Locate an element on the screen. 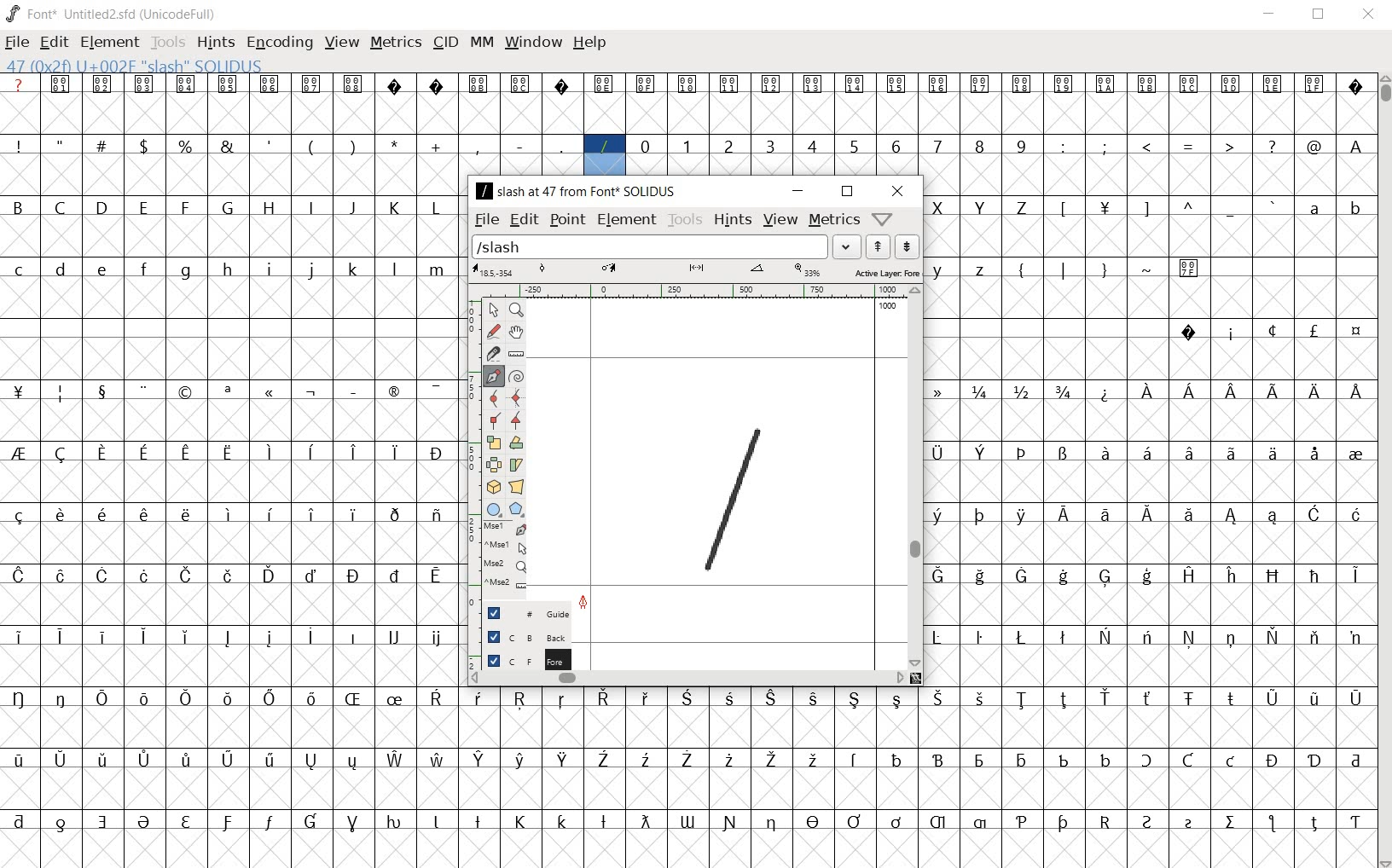 The height and width of the screenshot is (868, 1392). MINIMIZE is located at coordinates (1268, 16).